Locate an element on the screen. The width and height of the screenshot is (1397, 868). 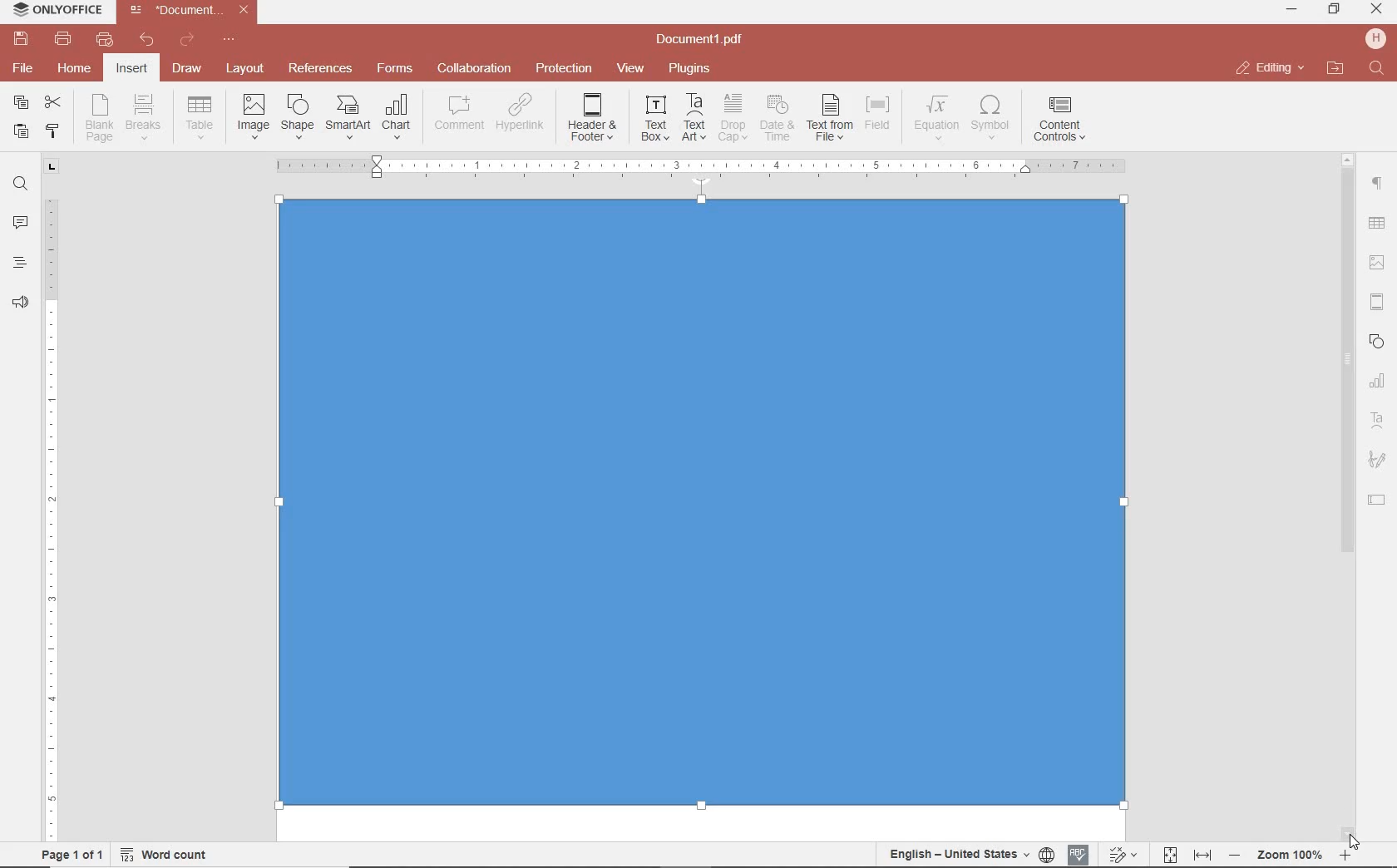
HEADERS & FOOTERS is located at coordinates (1378, 303).